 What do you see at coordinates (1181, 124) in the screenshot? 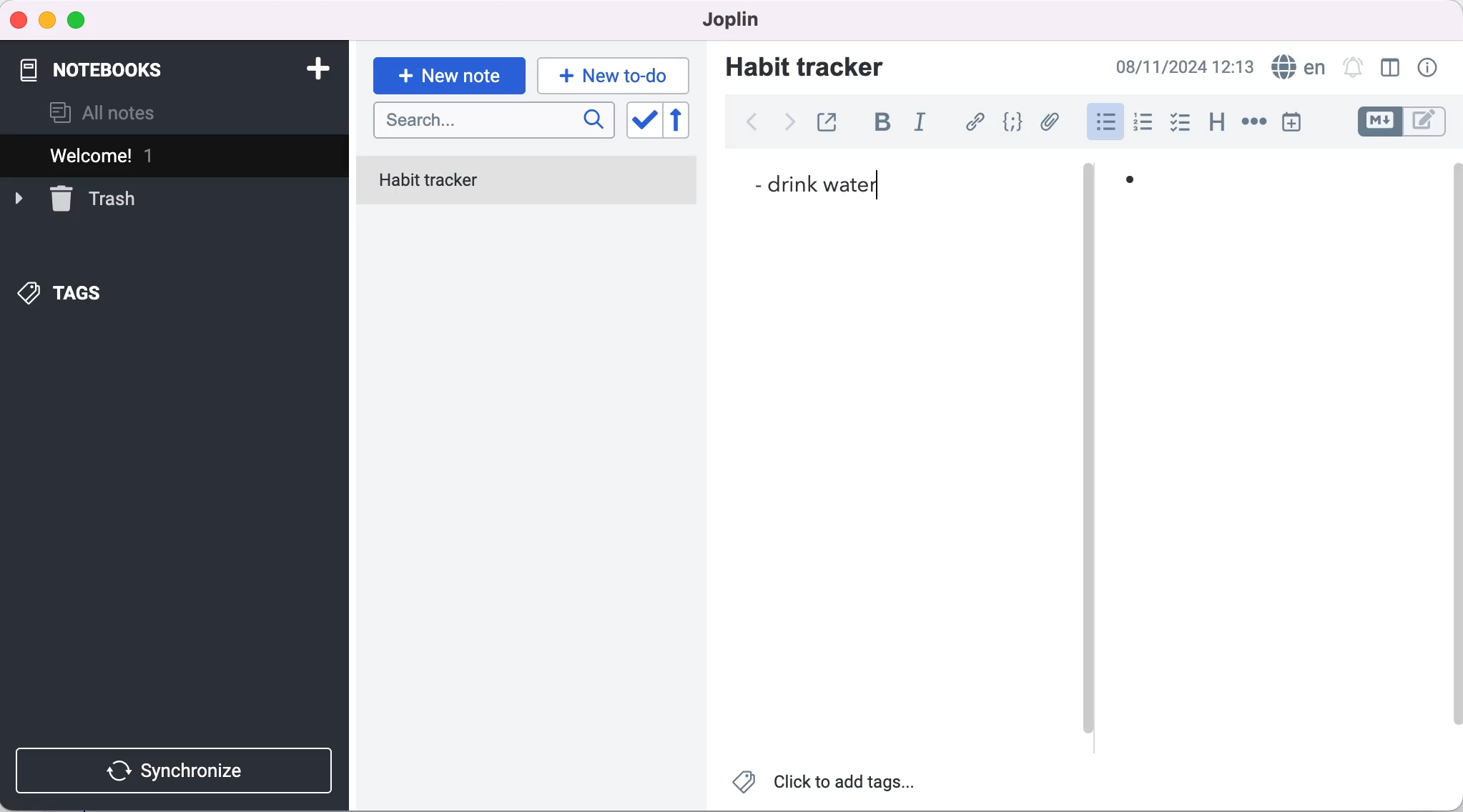
I see `checkbox` at bounding box center [1181, 124].